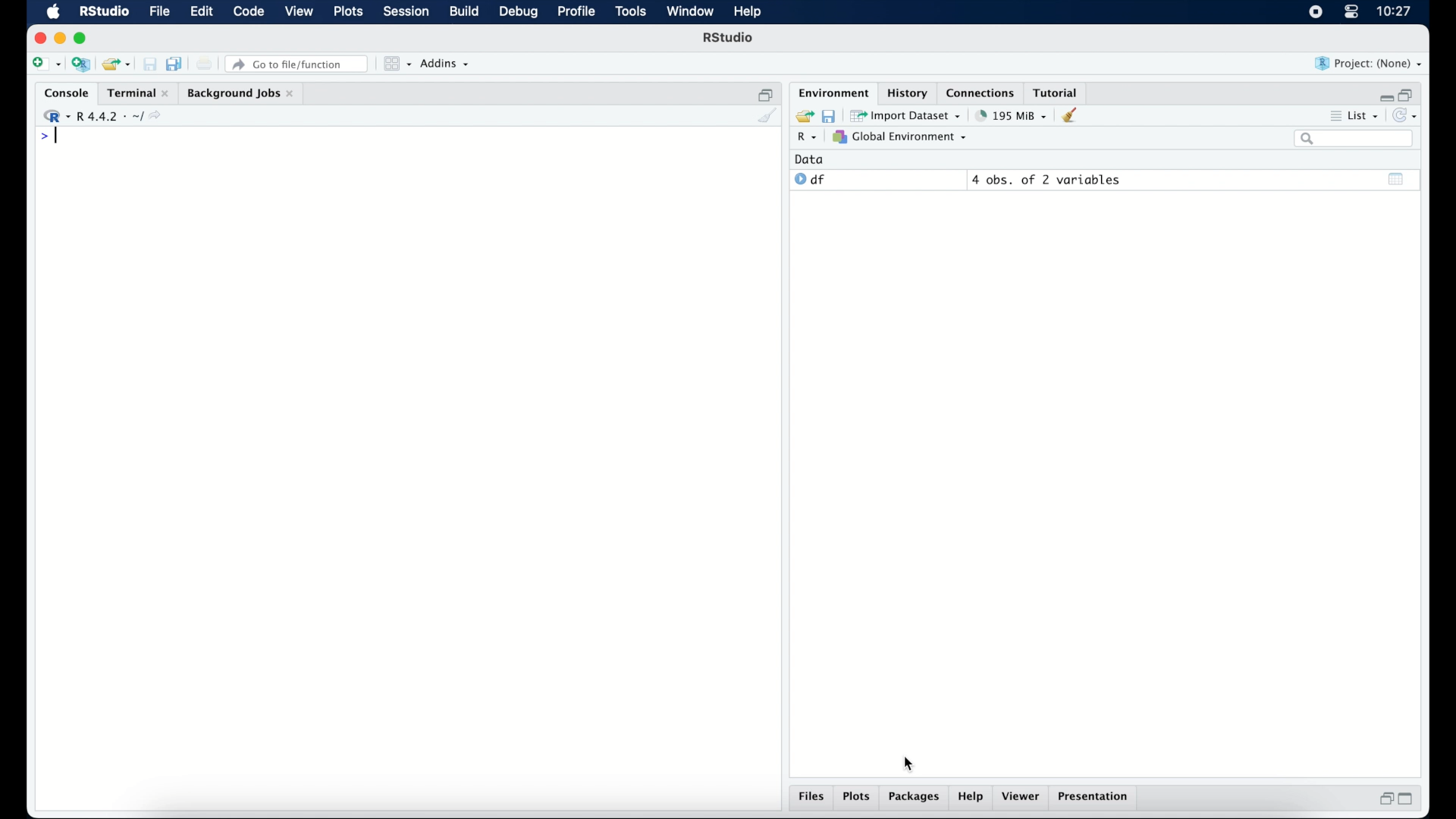 This screenshot has width=1456, height=819. Describe the element at coordinates (1046, 180) in the screenshot. I see `4 obs, of 2 variables` at that location.